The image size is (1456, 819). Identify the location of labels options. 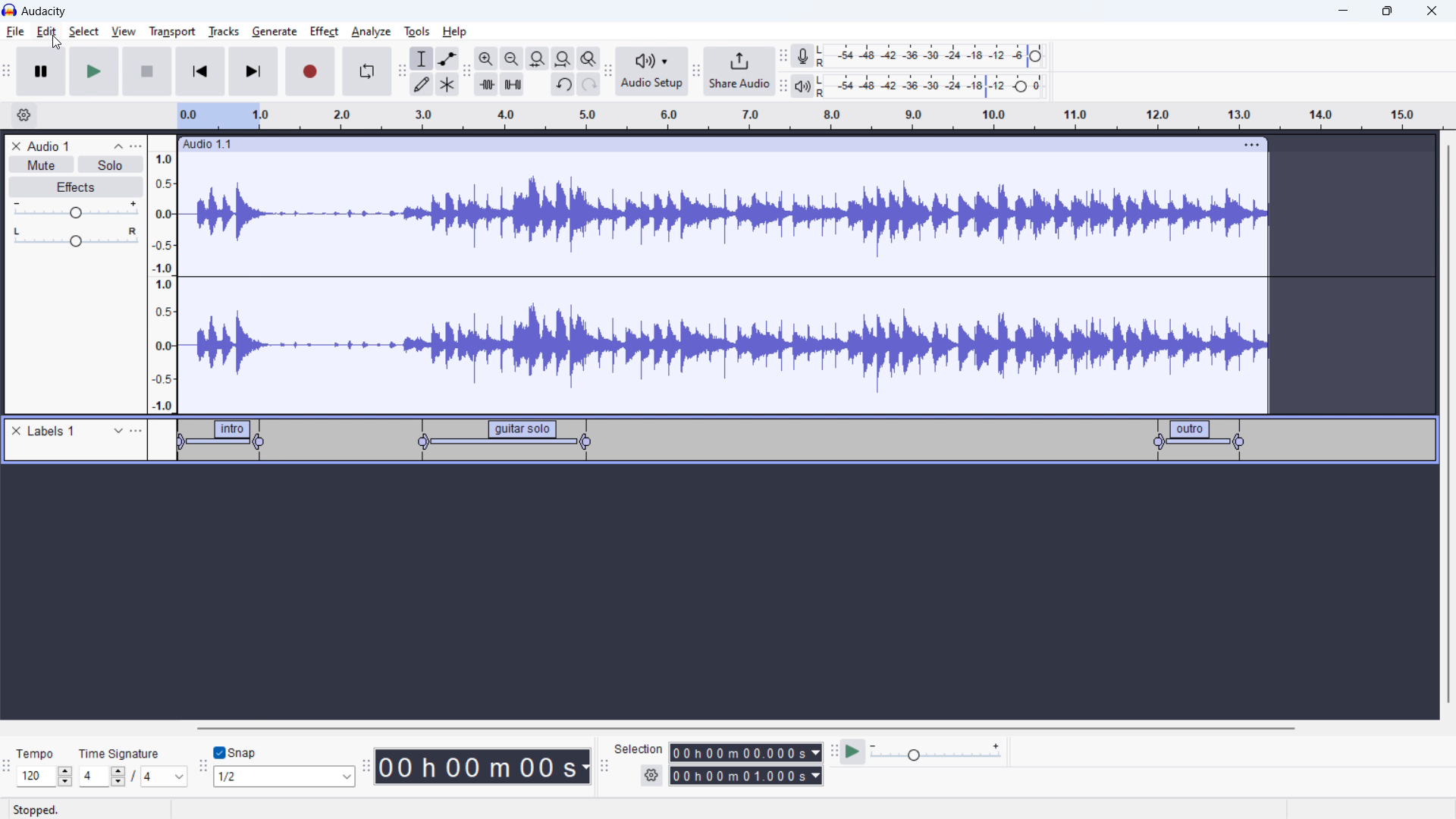
(136, 432).